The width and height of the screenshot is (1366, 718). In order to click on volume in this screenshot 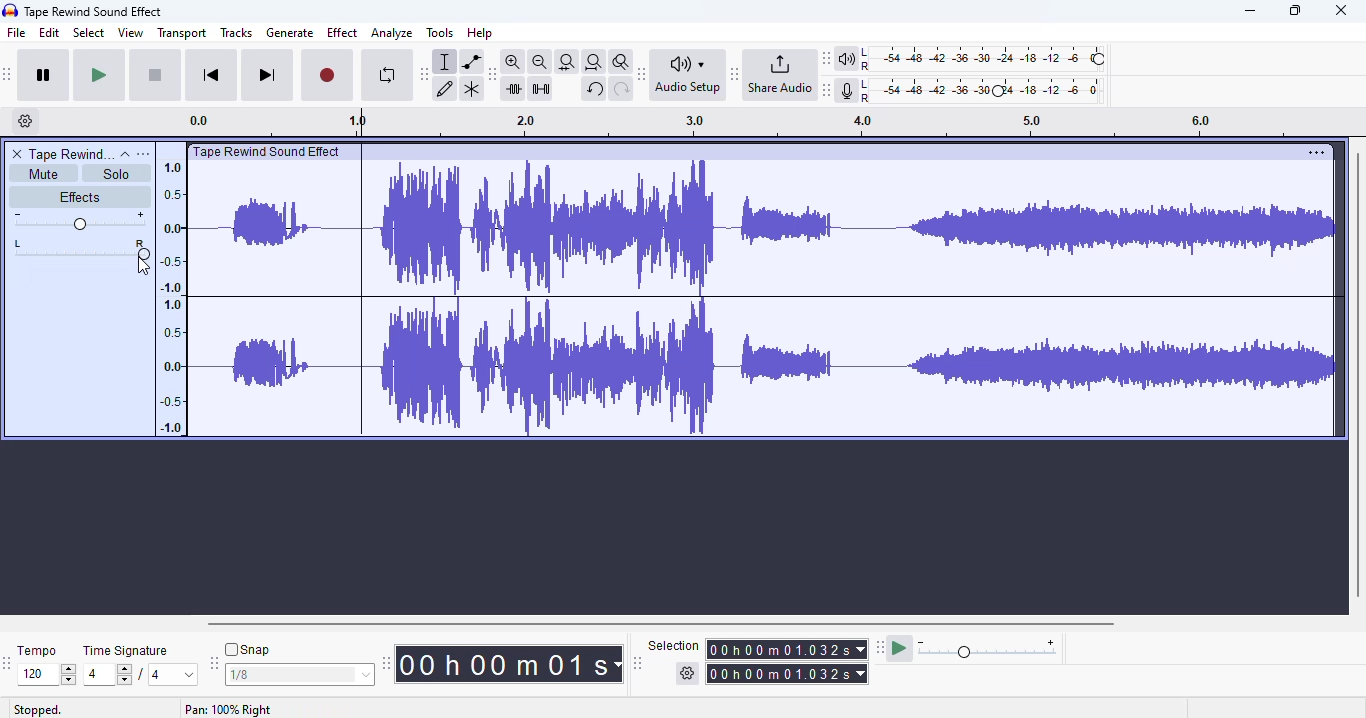, I will do `click(79, 221)`.